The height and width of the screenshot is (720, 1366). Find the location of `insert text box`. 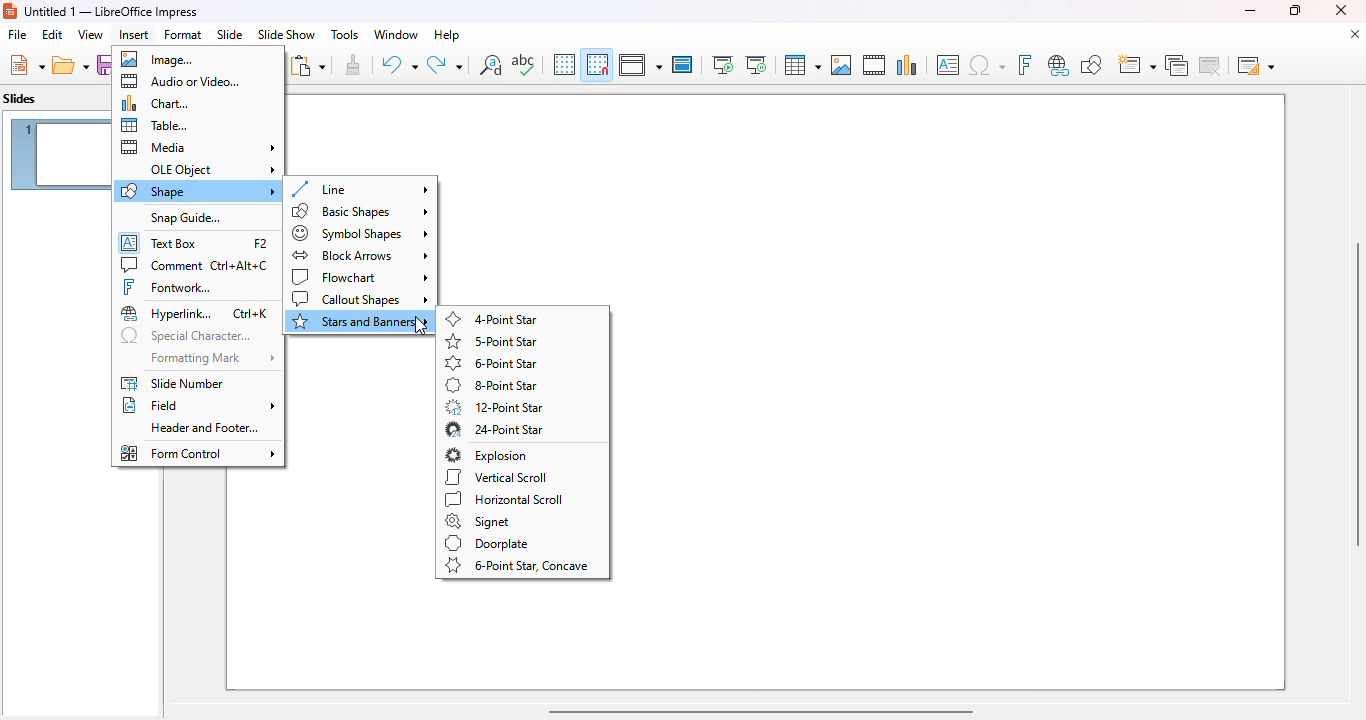

insert text box is located at coordinates (948, 65).